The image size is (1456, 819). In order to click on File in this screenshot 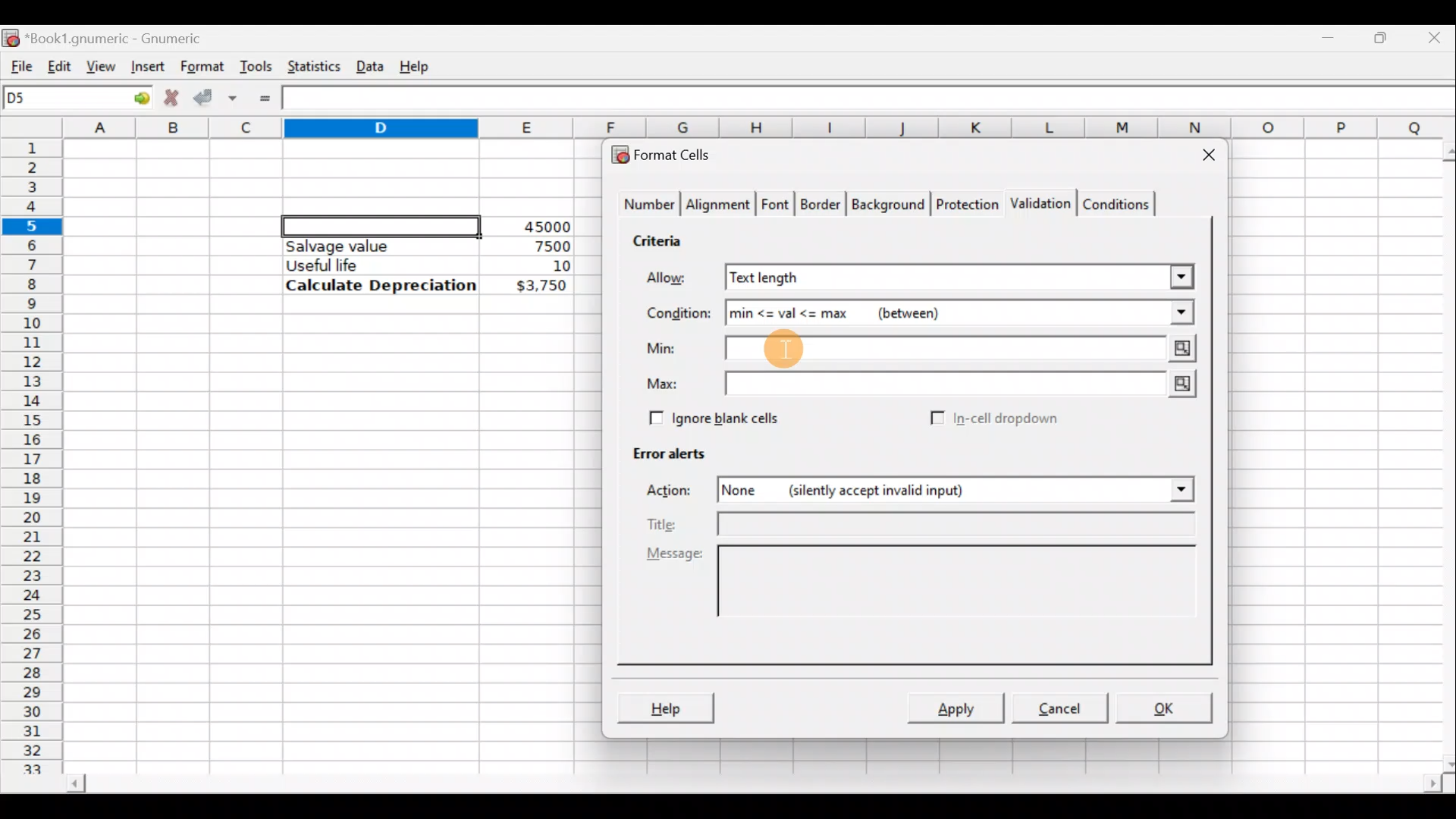, I will do `click(17, 63)`.